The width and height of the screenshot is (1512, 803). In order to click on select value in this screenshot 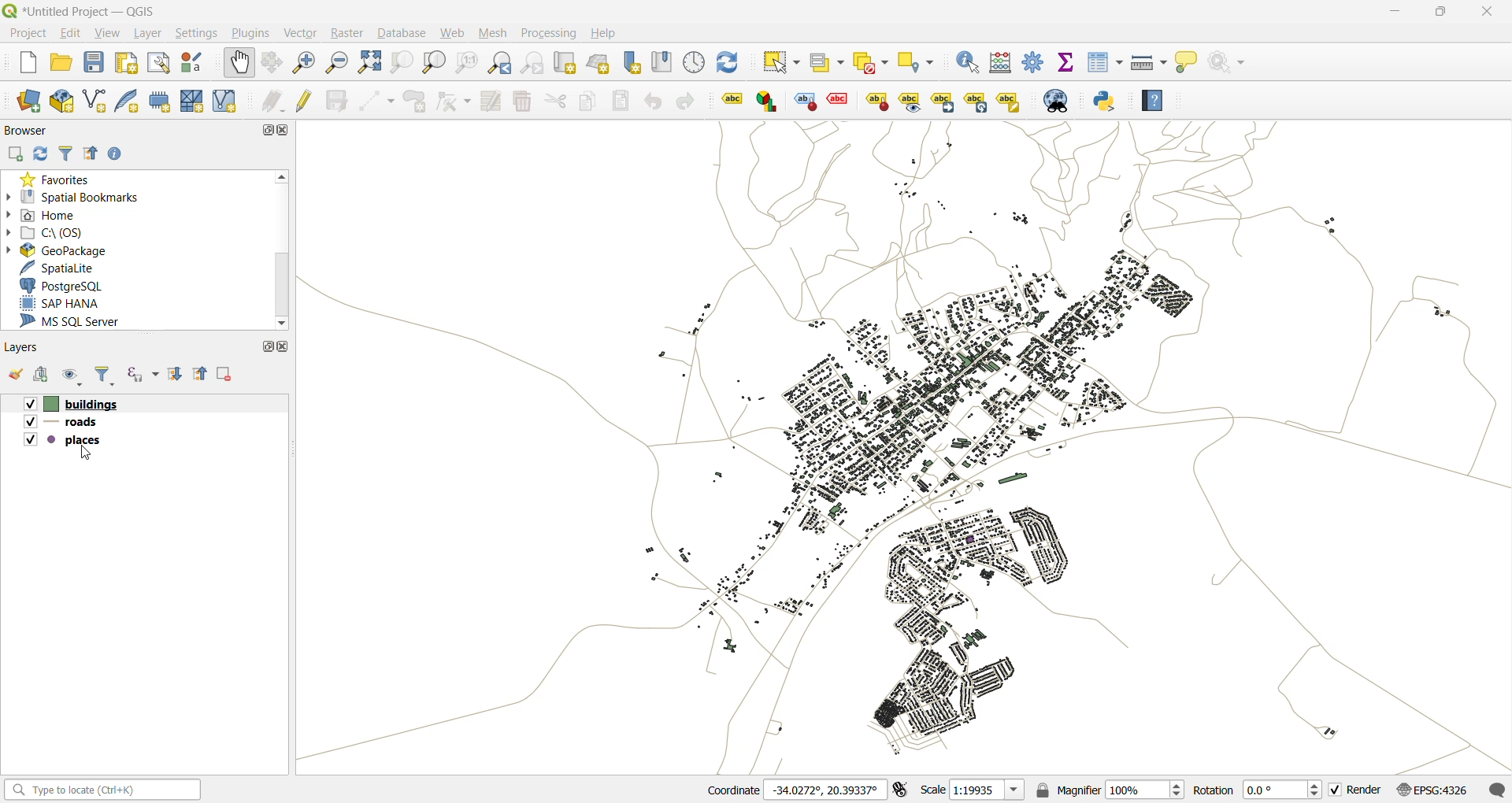, I will do `click(827, 63)`.